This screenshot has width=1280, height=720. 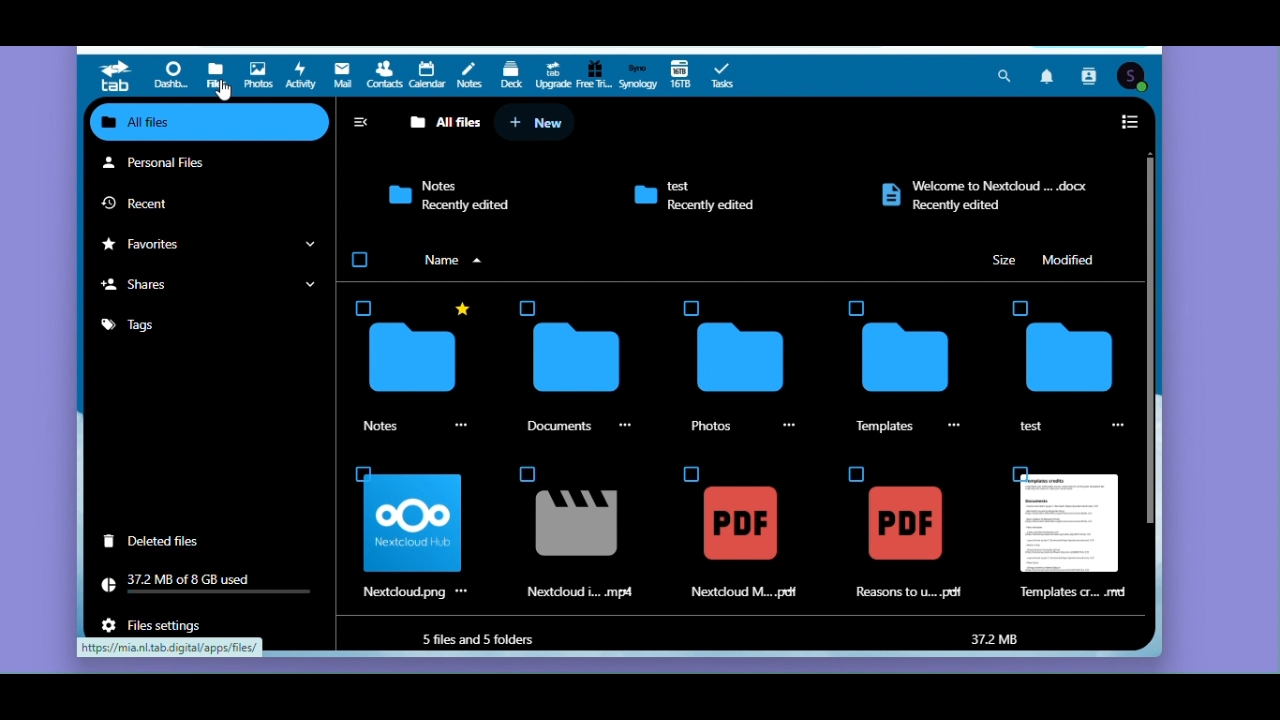 I want to click on Personal files, so click(x=205, y=163).